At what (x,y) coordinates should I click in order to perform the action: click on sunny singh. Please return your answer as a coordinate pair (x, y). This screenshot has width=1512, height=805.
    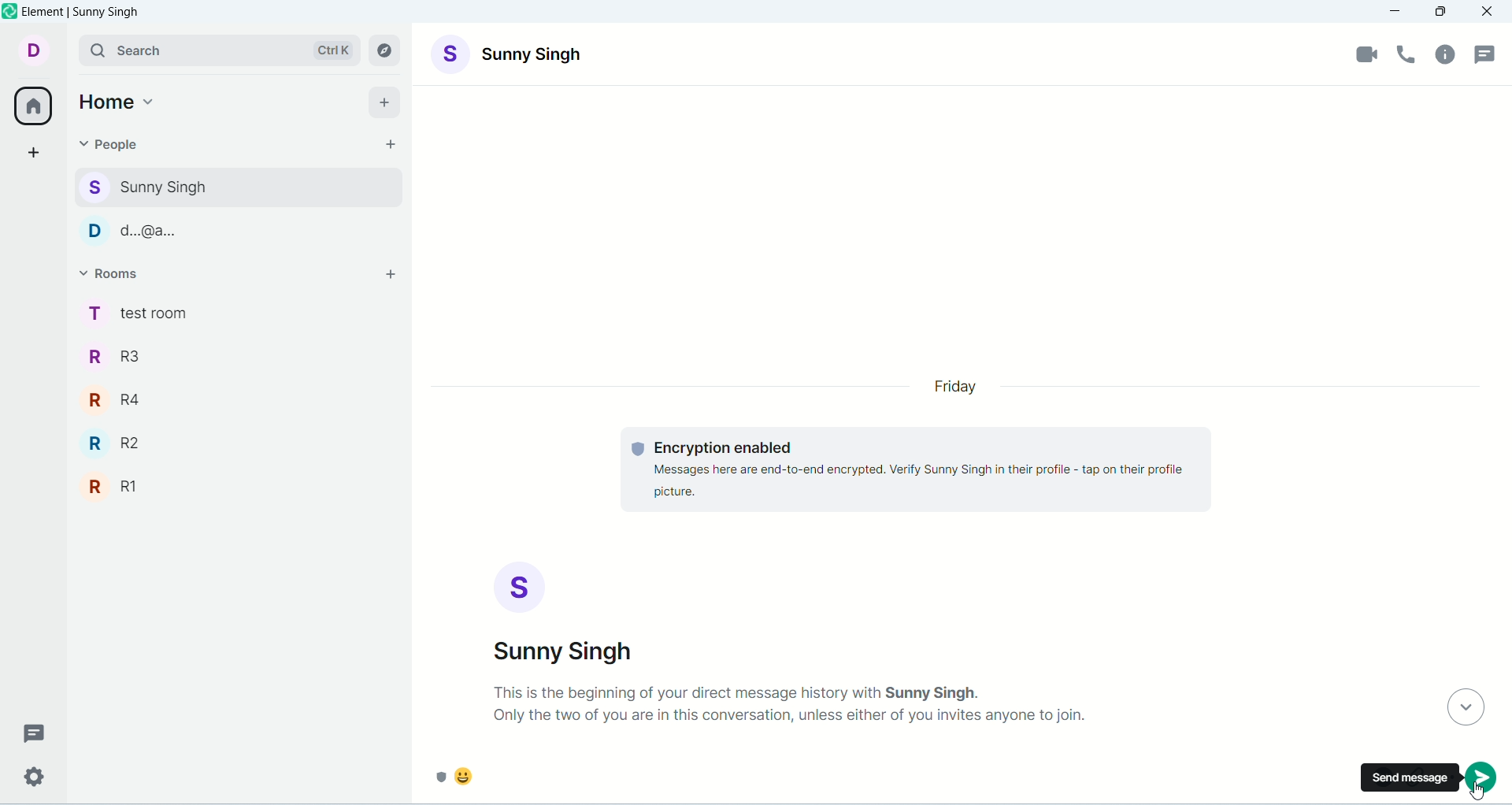
    Looking at the image, I should click on (235, 185).